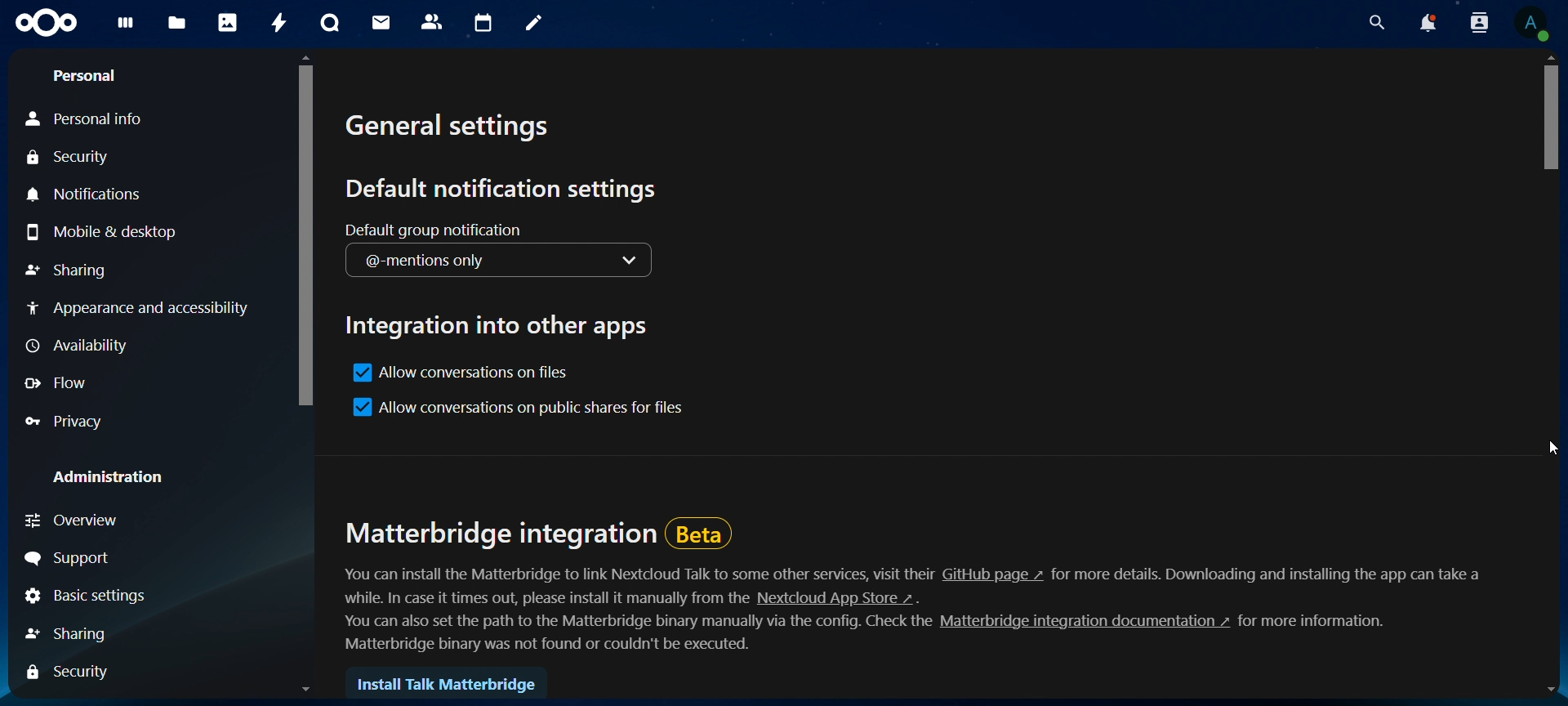 The image size is (1568, 706). Describe the element at coordinates (280, 22) in the screenshot. I see `activity` at that location.